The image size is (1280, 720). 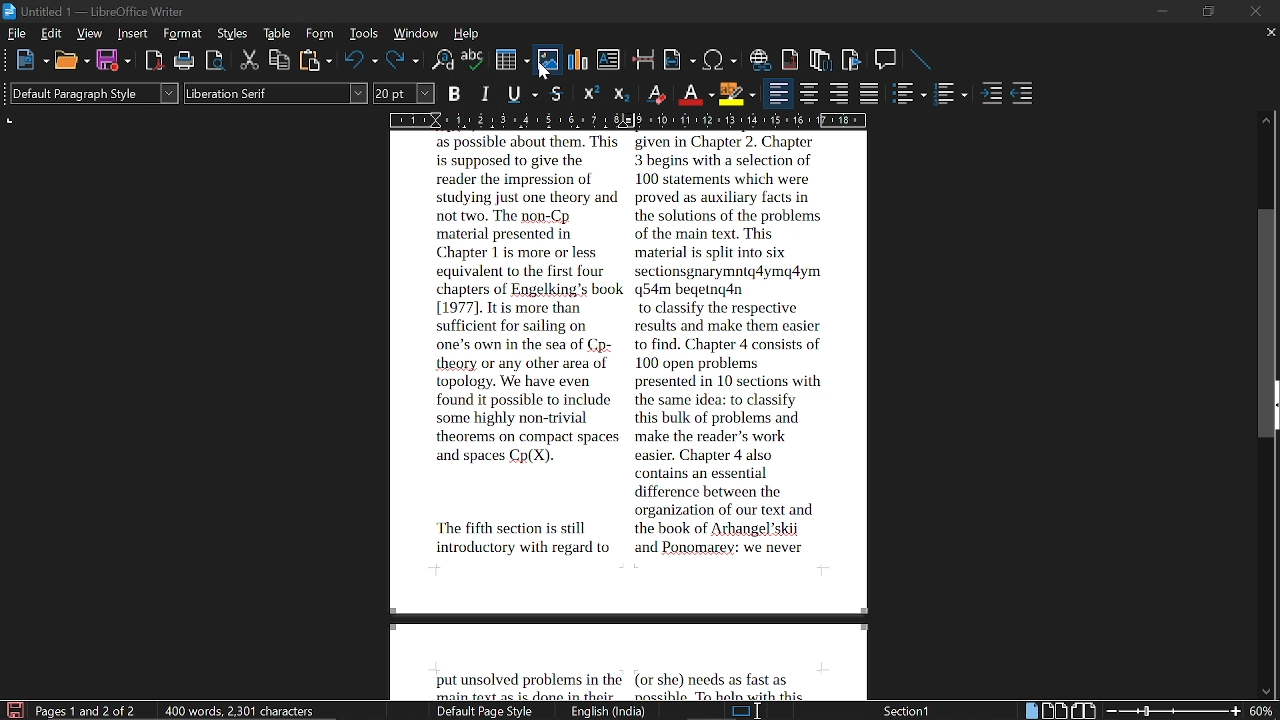 What do you see at coordinates (1257, 9) in the screenshot?
I see `close` at bounding box center [1257, 9].